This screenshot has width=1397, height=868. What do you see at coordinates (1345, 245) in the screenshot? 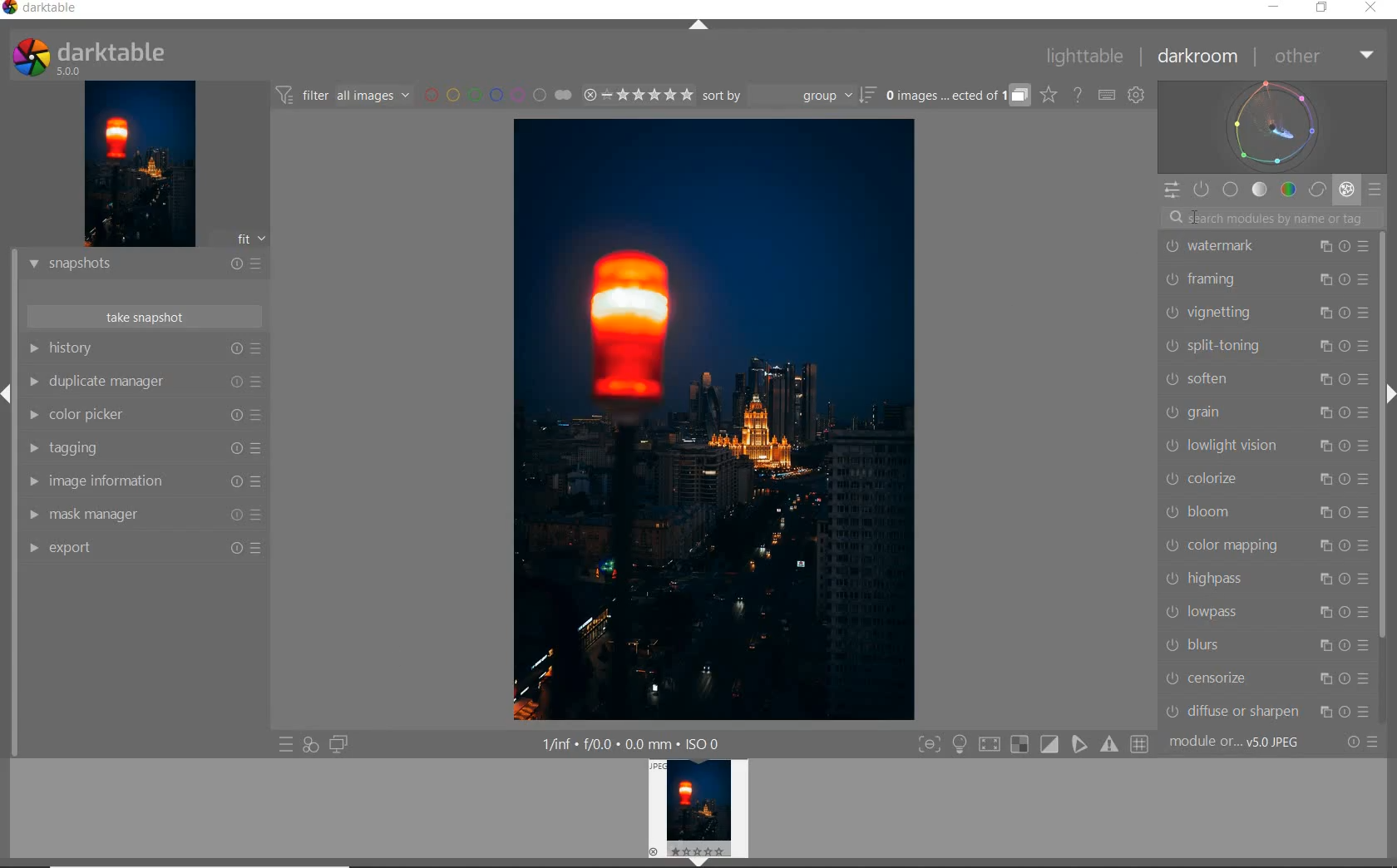
I see `Reset` at bounding box center [1345, 245].